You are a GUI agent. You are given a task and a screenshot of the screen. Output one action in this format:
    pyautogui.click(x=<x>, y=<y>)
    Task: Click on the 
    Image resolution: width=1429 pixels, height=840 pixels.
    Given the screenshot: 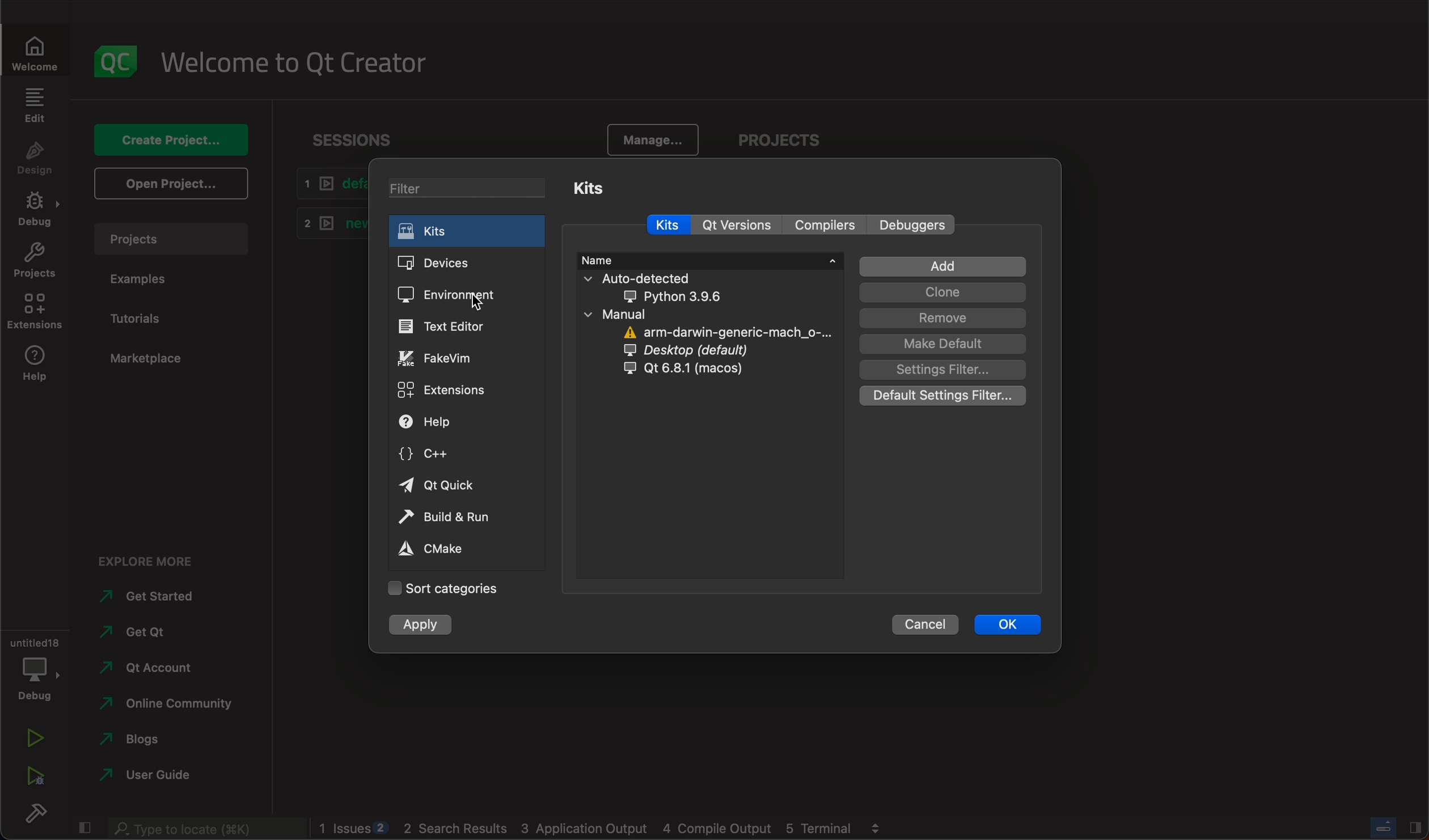 What is the action you would take?
    pyautogui.click(x=202, y=829)
    